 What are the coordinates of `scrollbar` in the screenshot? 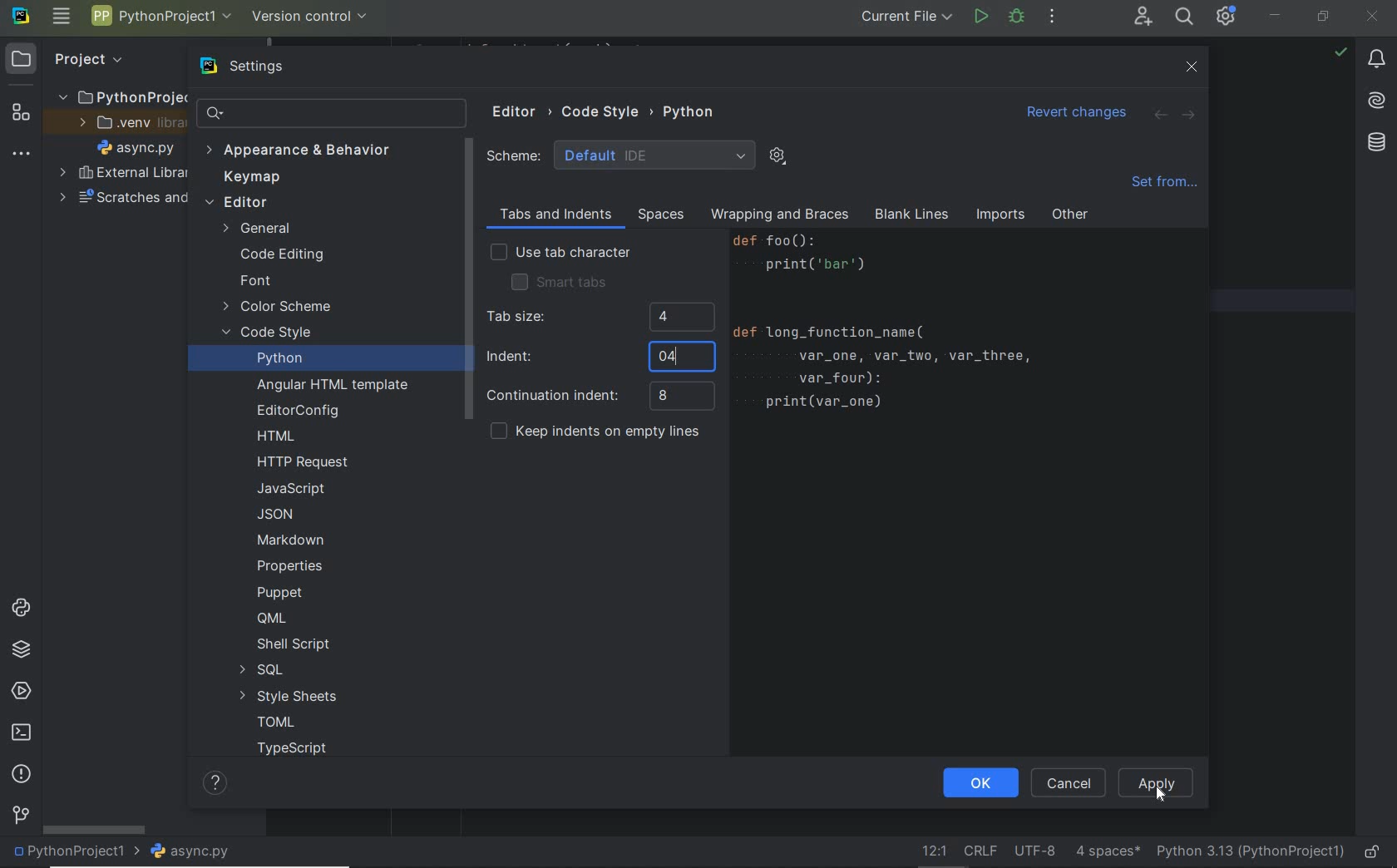 It's located at (96, 830).